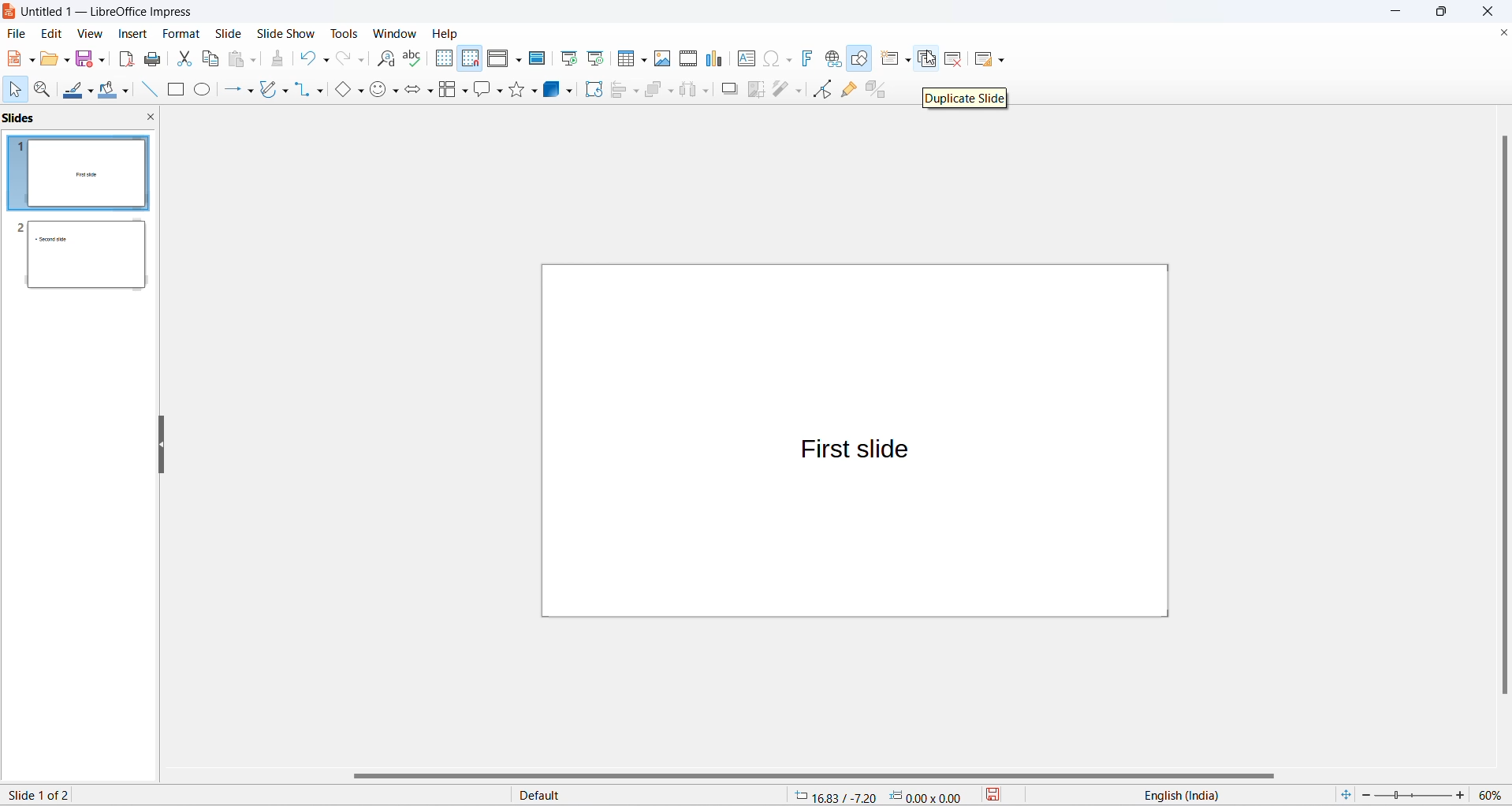  What do you see at coordinates (86, 58) in the screenshot?
I see `save` at bounding box center [86, 58].